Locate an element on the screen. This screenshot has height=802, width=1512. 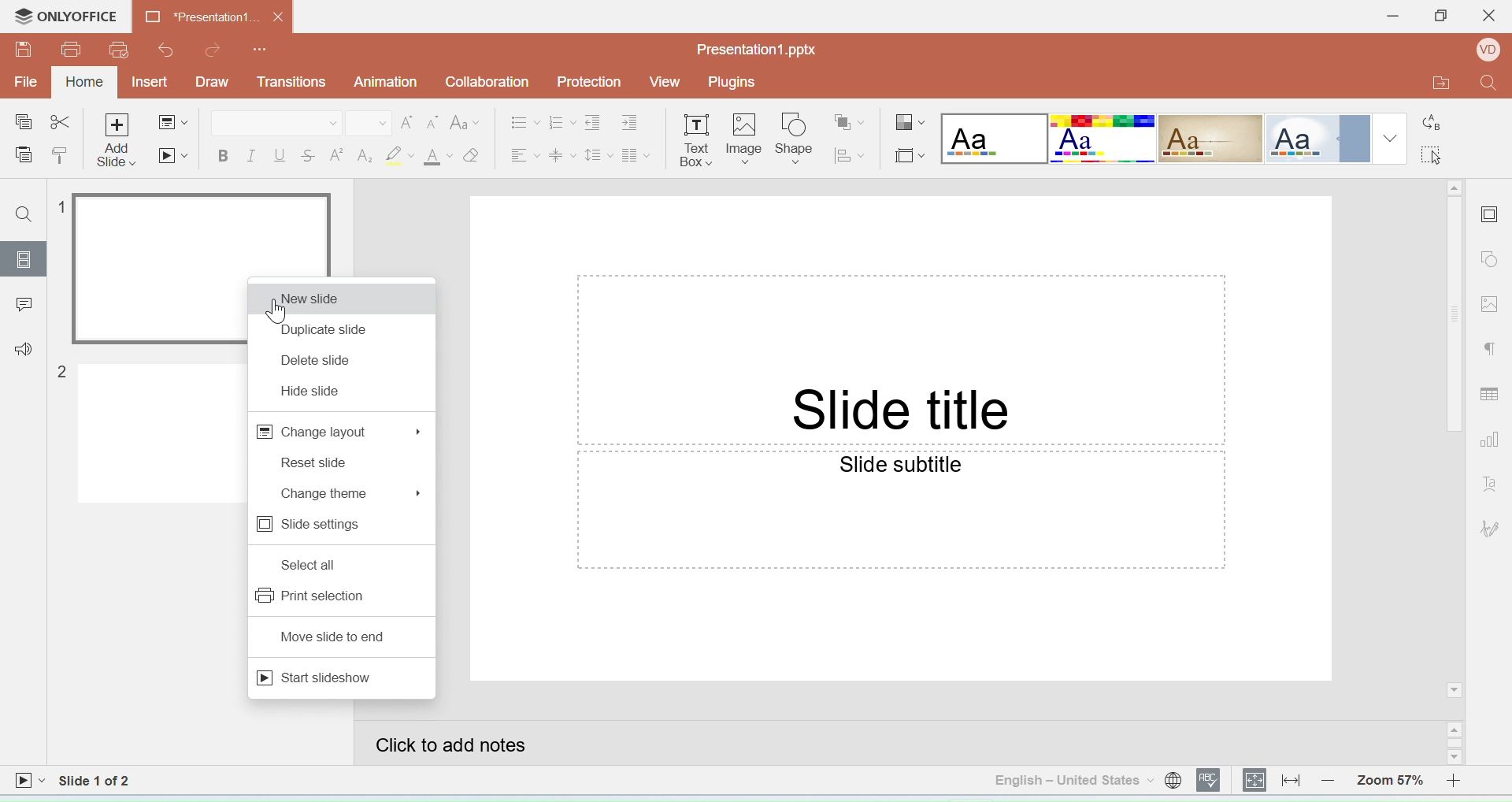
Start slideshow is located at coordinates (172, 155).